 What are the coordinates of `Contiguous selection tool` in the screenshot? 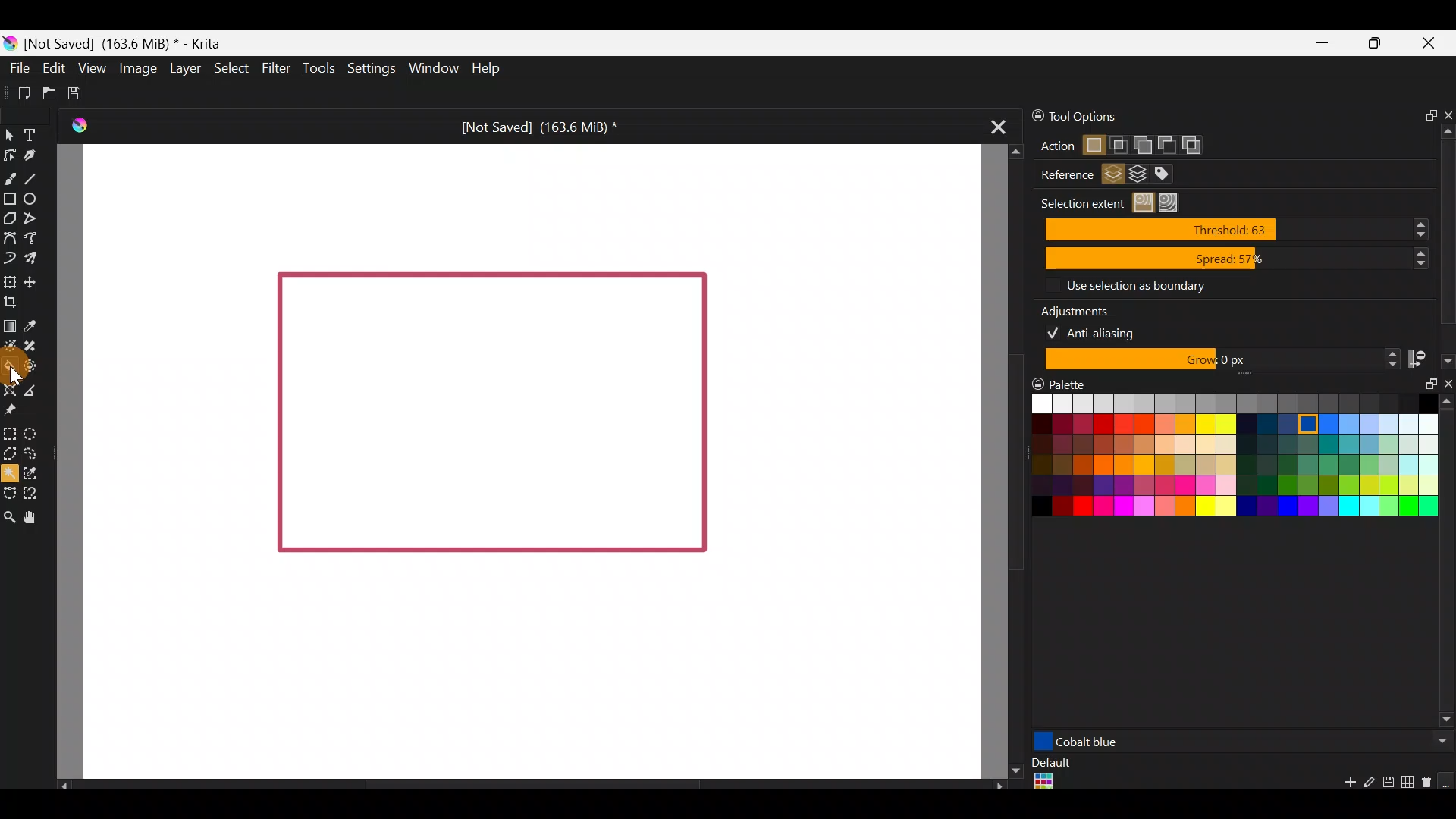 It's located at (11, 473).